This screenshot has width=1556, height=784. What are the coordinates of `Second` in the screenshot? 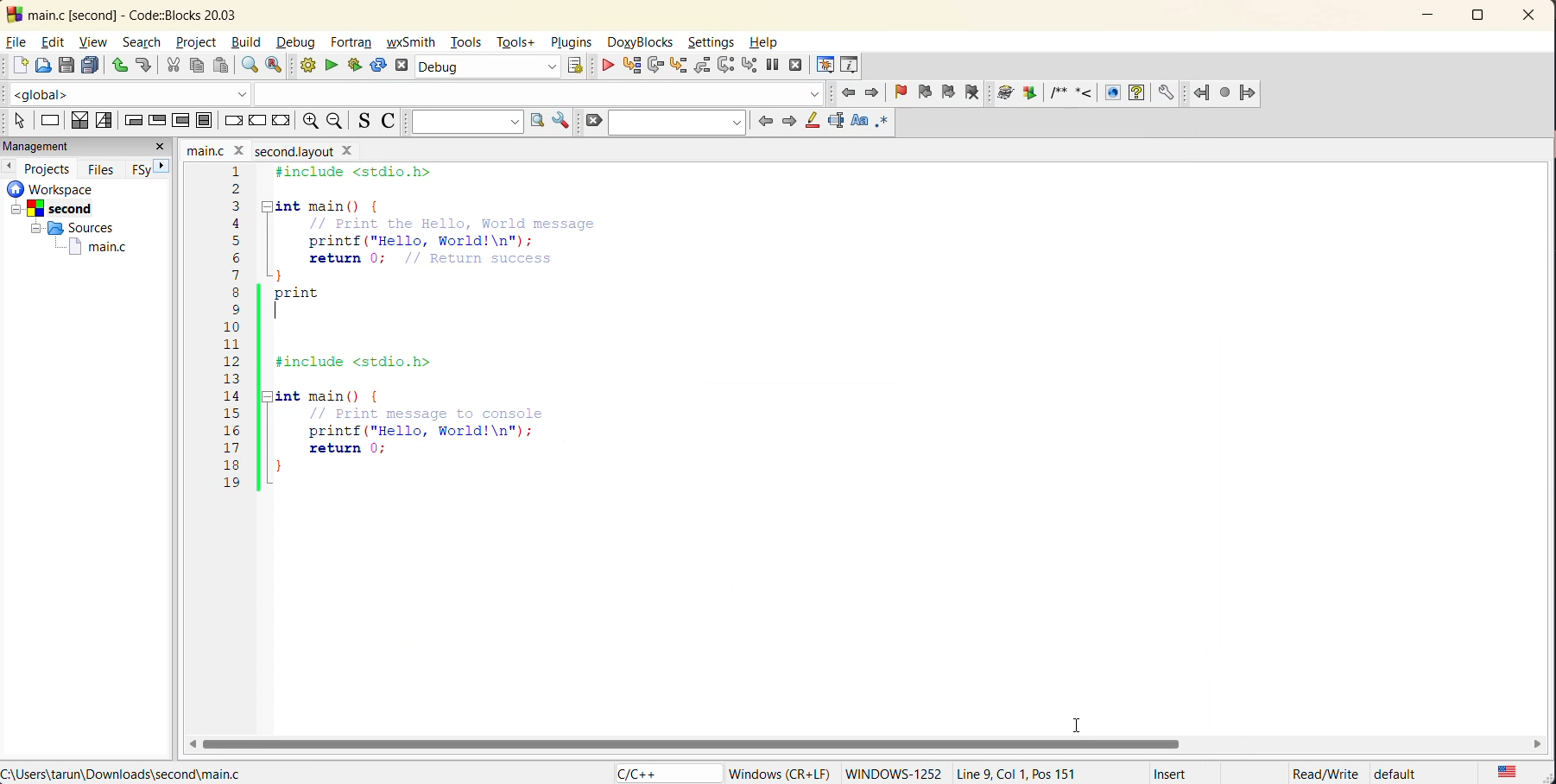 It's located at (67, 206).